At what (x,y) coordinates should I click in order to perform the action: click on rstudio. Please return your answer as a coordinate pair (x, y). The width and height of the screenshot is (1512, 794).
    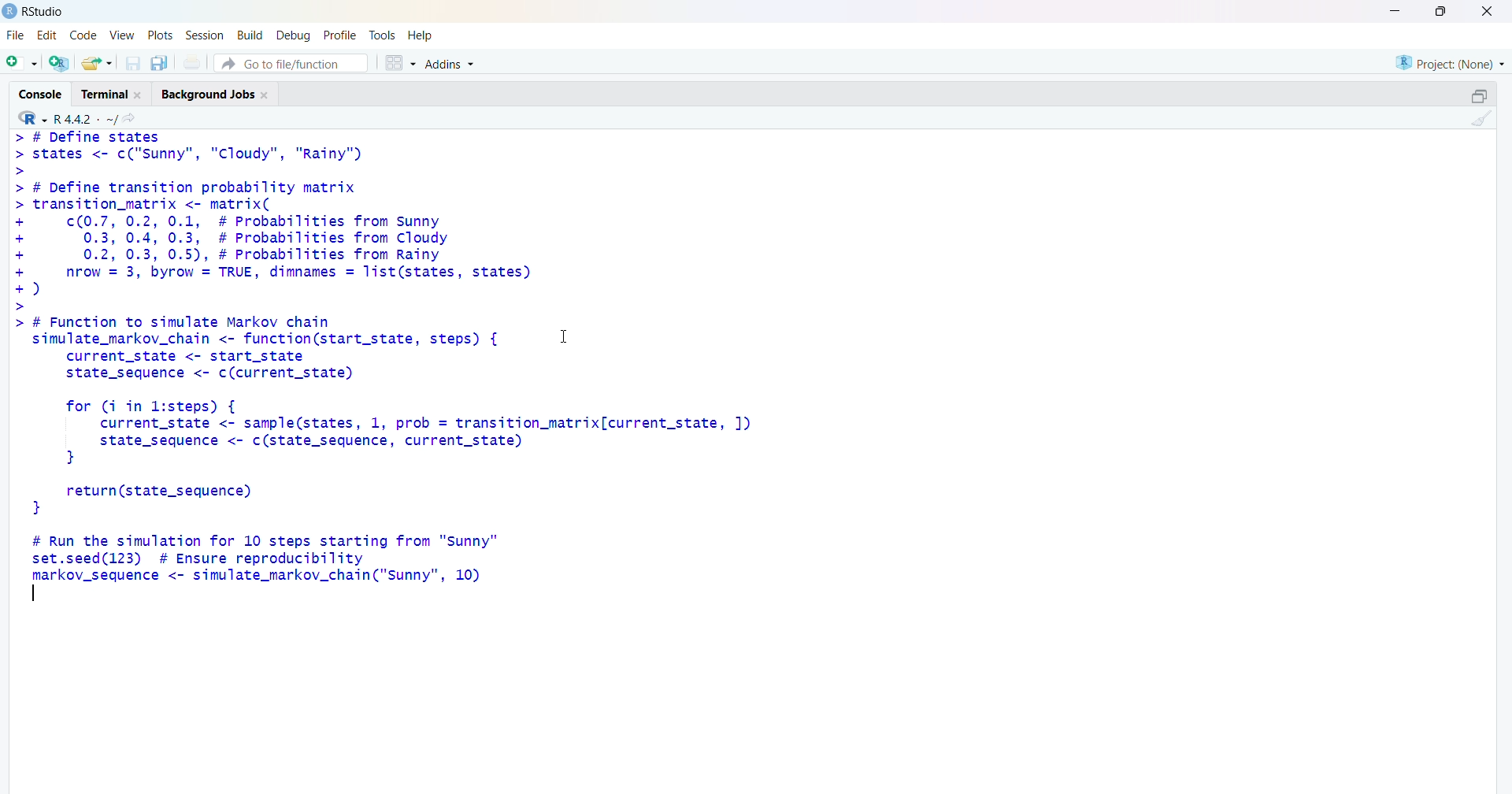
    Looking at the image, I should click on (35, 11).